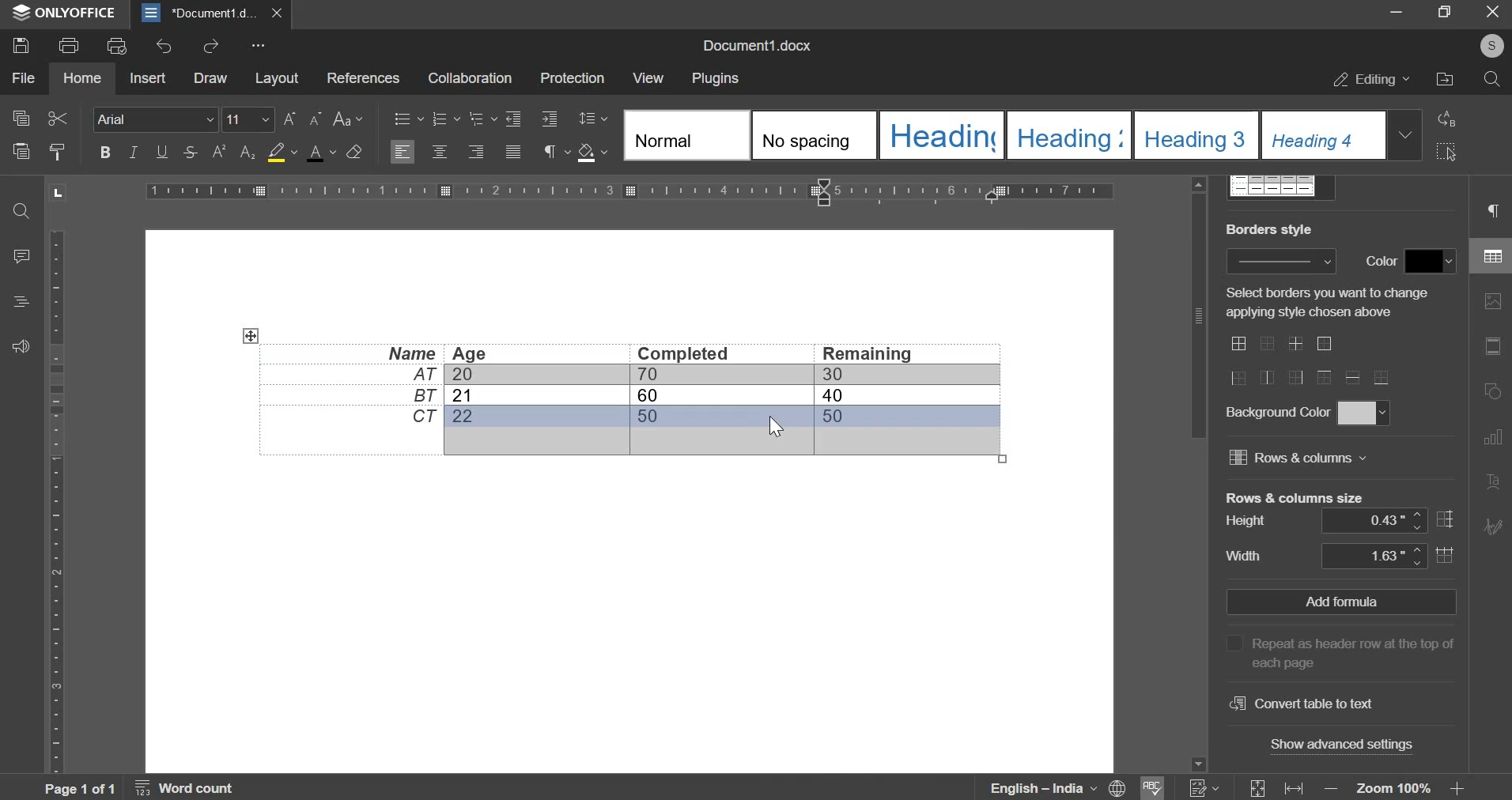 This screenshot has height=800, width=1512. Describe the element at coordinates (441, 151) in the screenshot. I see `align center` at that location.